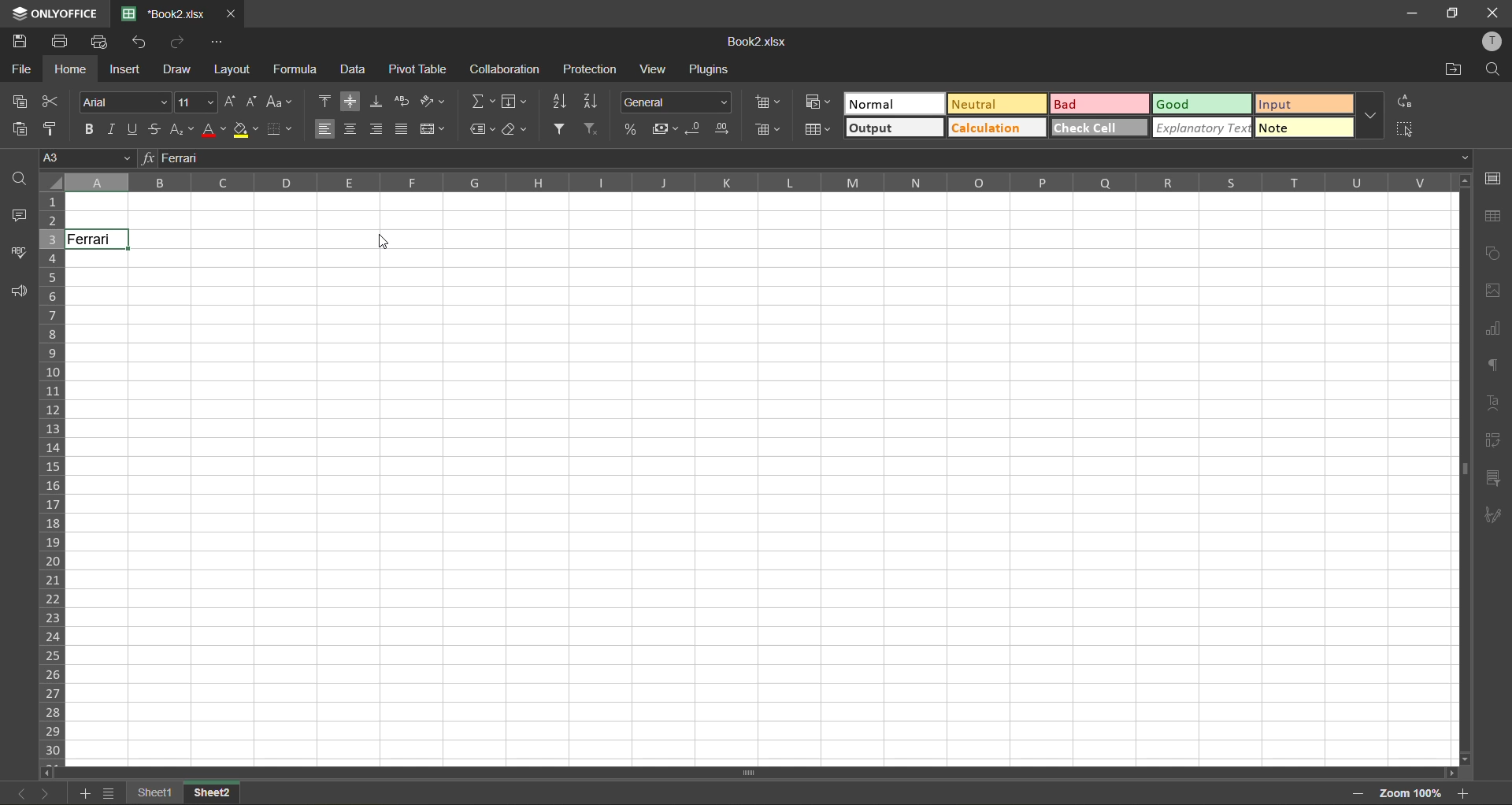 This screenshot has height=805, width=1512. Describe the element at coordinates (350, 103) in the screenshot. I see `align middle` at that location.